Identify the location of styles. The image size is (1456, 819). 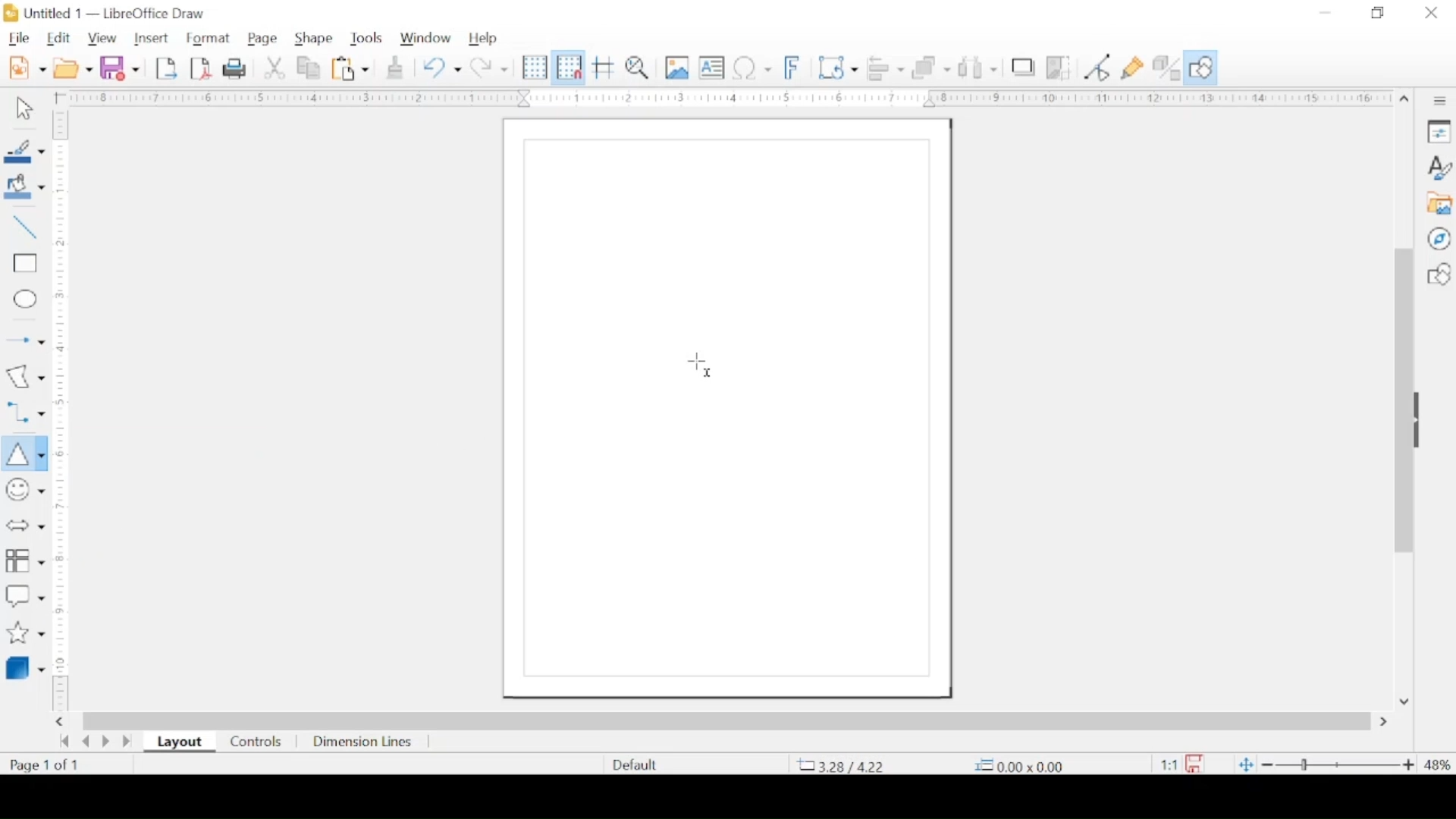
(1440, 167).